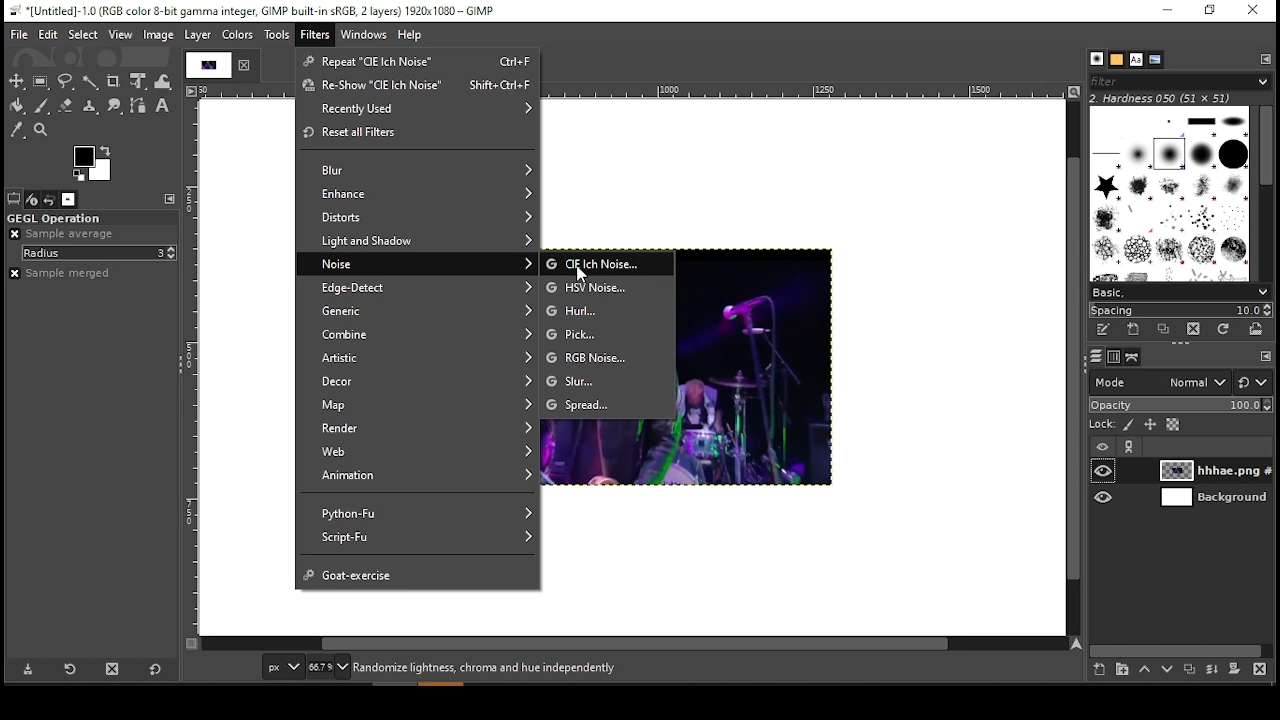 This screenshot has width=1280, height=720. Describe the element at coordinates (1263, 670) in the screenshot. I see `delete layer` at that location.